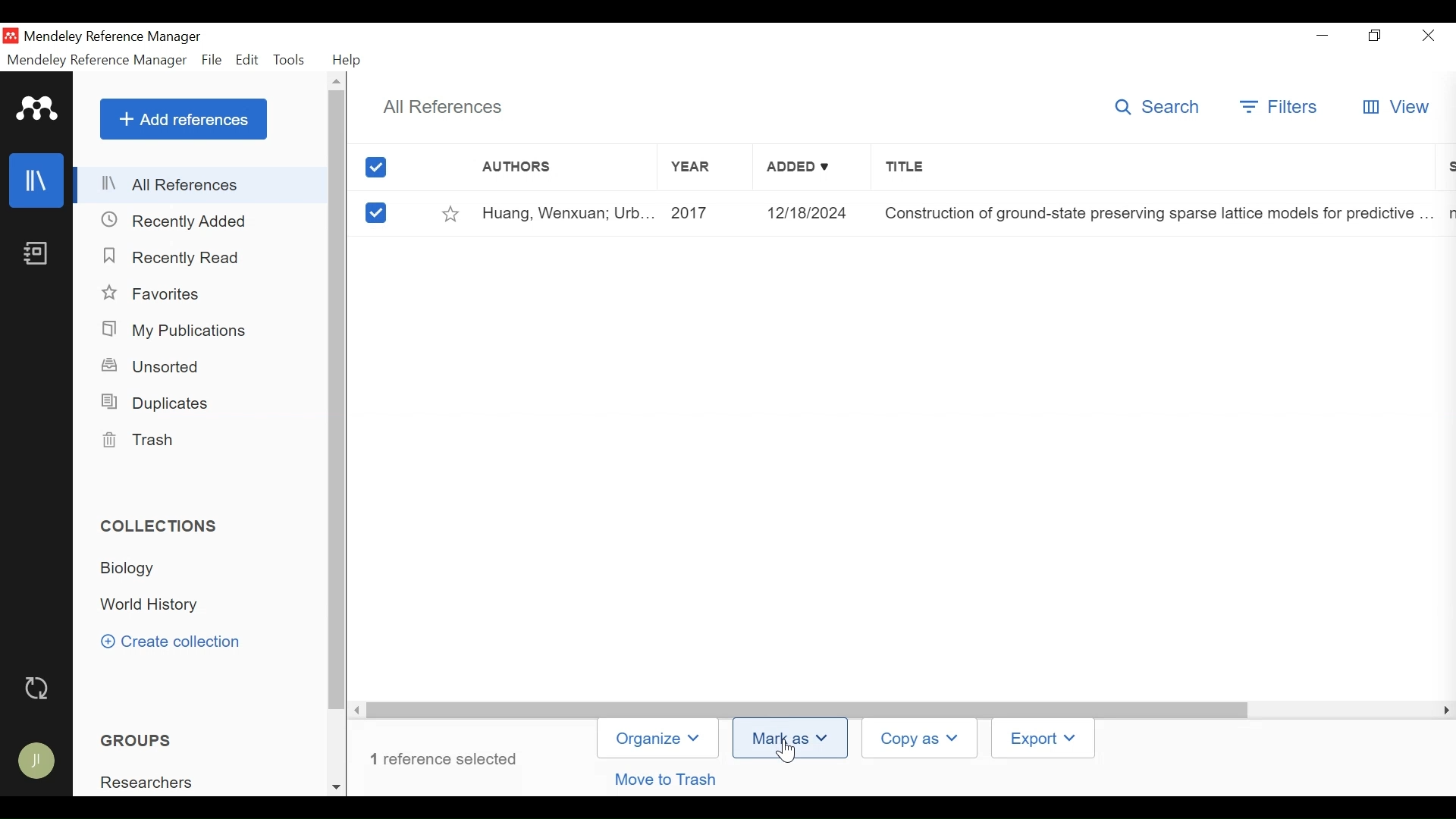  Describe the element at coordinates (1158, 214) in the screenshot. I see `Title` at that location.